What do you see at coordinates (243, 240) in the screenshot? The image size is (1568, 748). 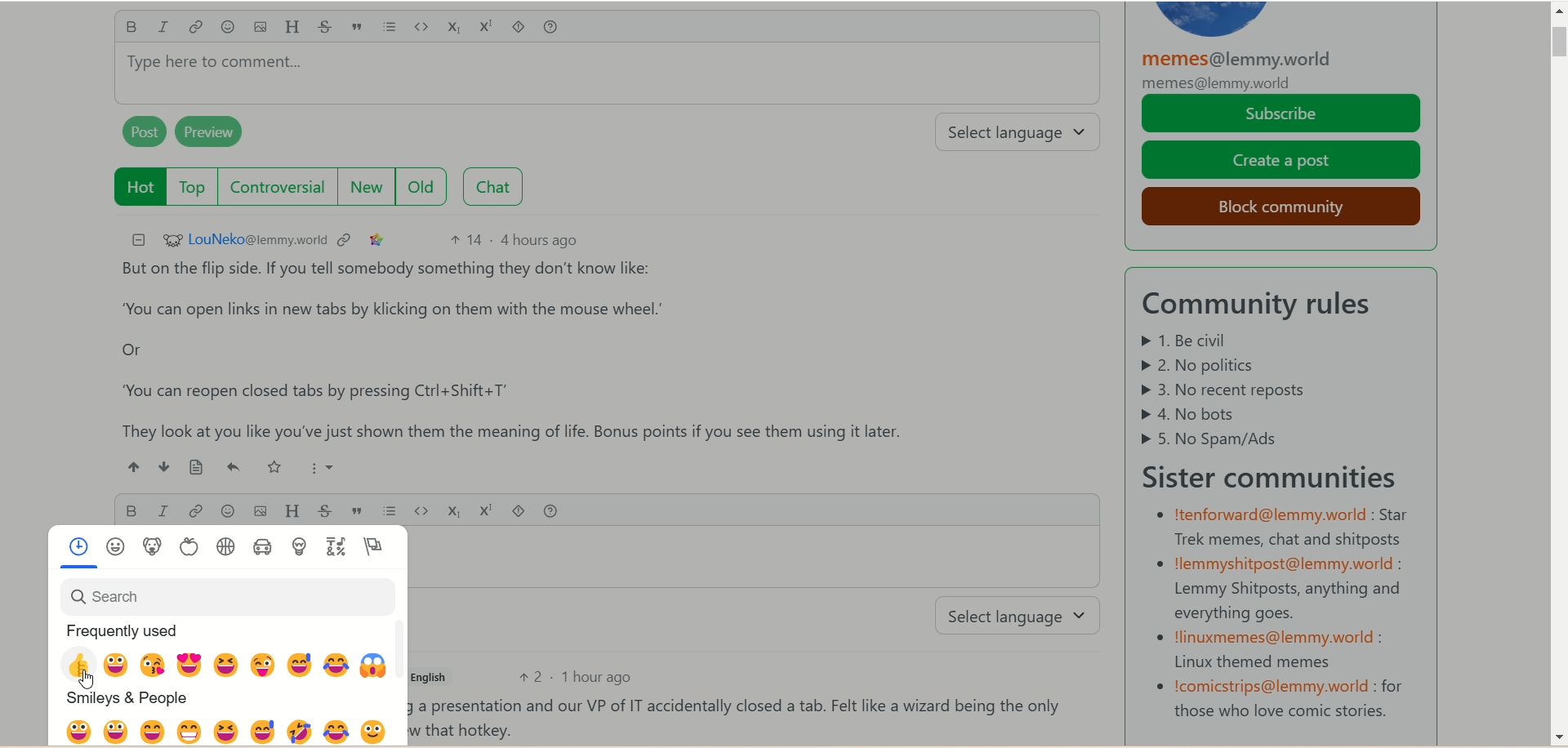 I see `username` at bounding box center [243, 240].